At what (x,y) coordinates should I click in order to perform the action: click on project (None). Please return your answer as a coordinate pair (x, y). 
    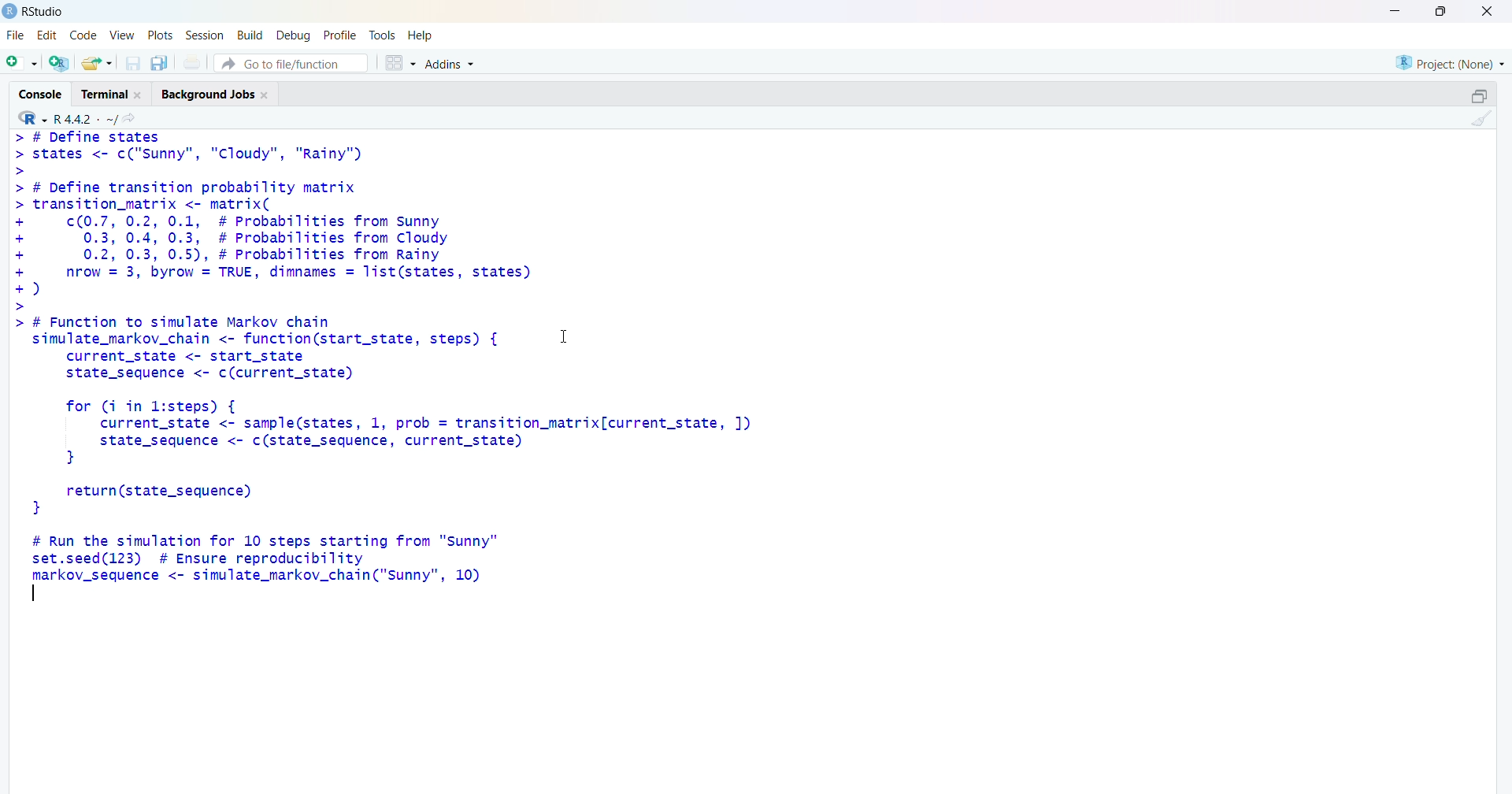
    Looking at the image, I should click on (1448, 61).